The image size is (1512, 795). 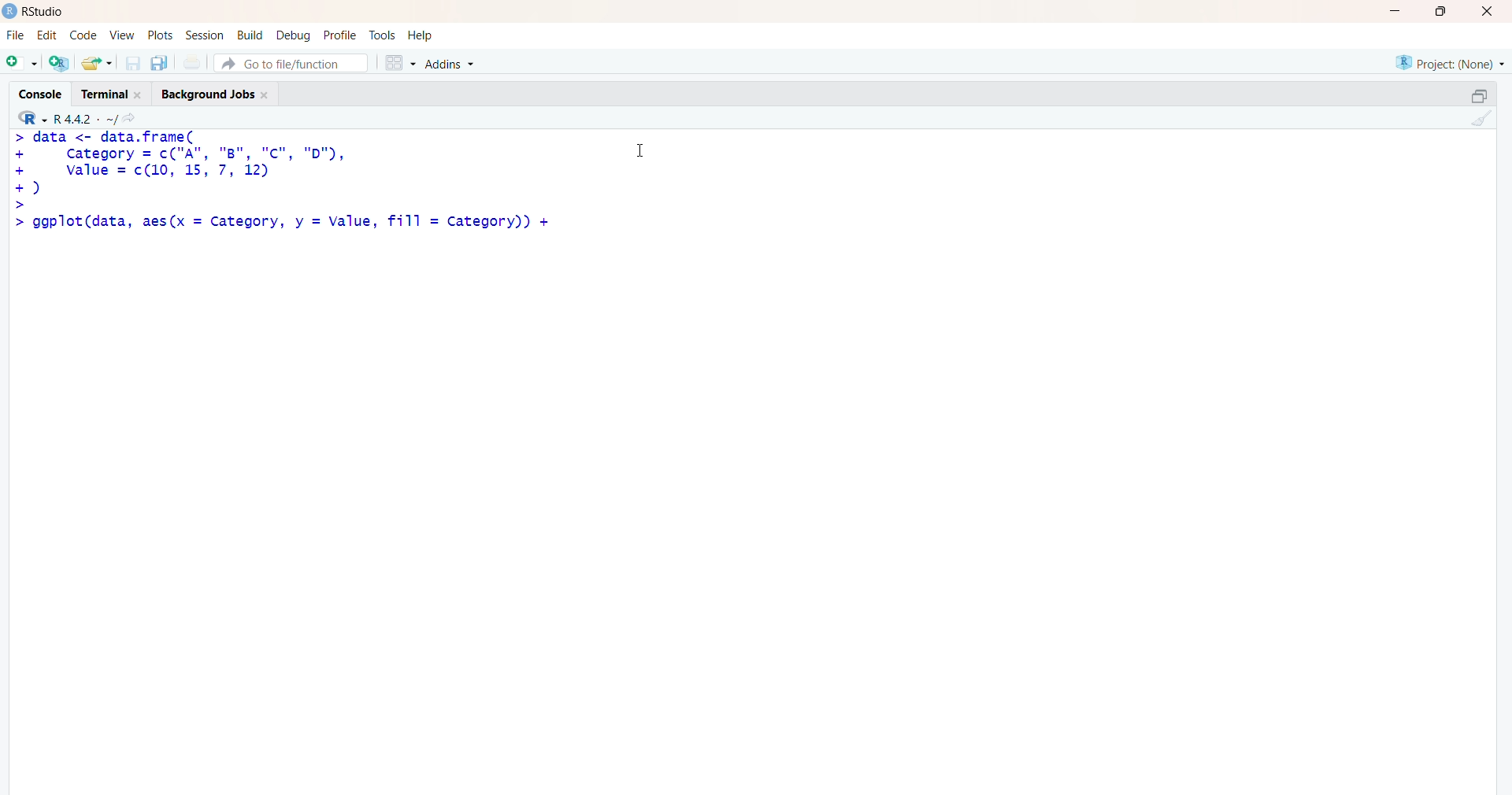 I want to click on minimize, so click(x=1400, y=11).